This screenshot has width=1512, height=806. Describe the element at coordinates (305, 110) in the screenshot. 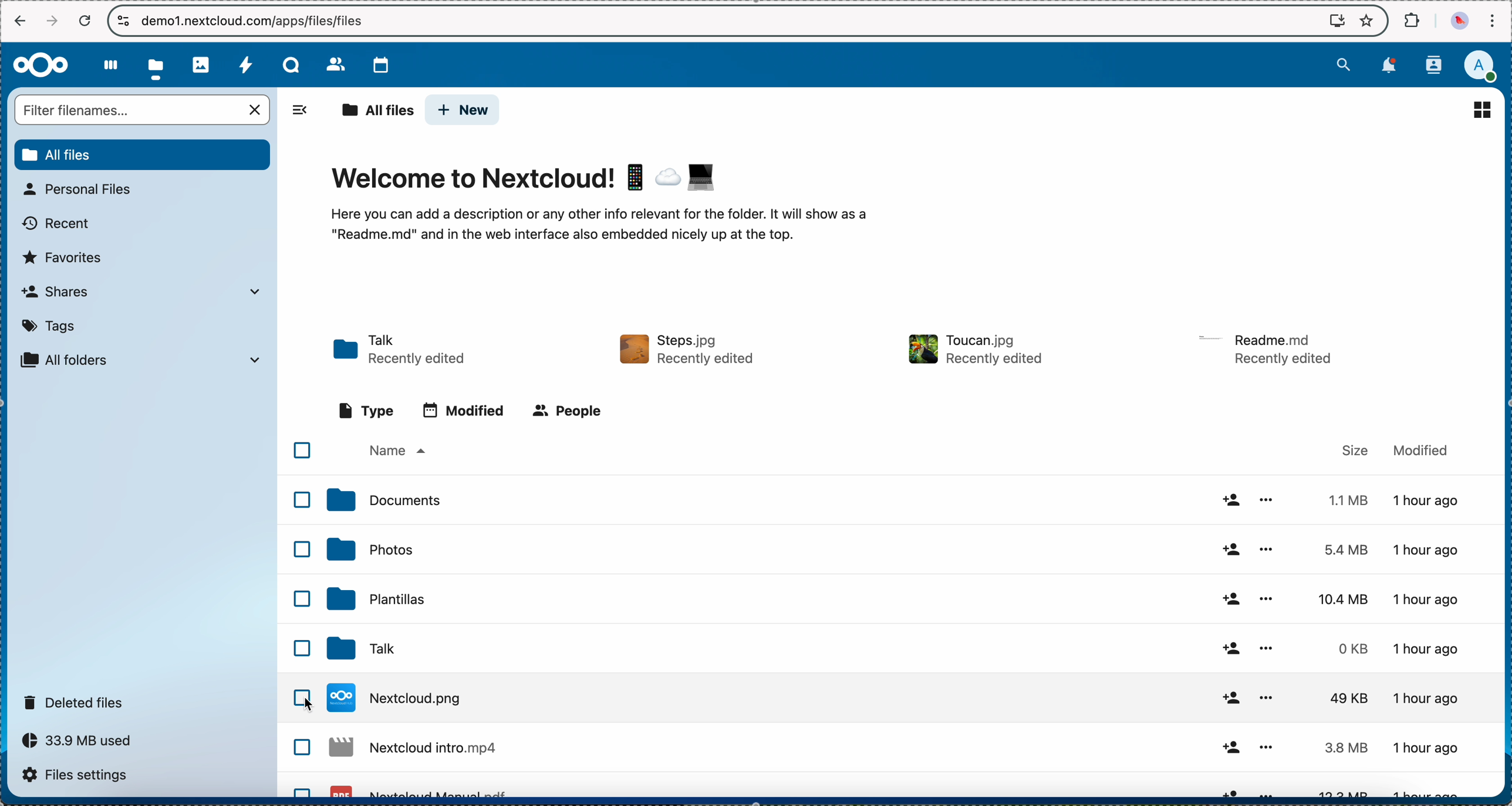

I see `hide options` at that location.